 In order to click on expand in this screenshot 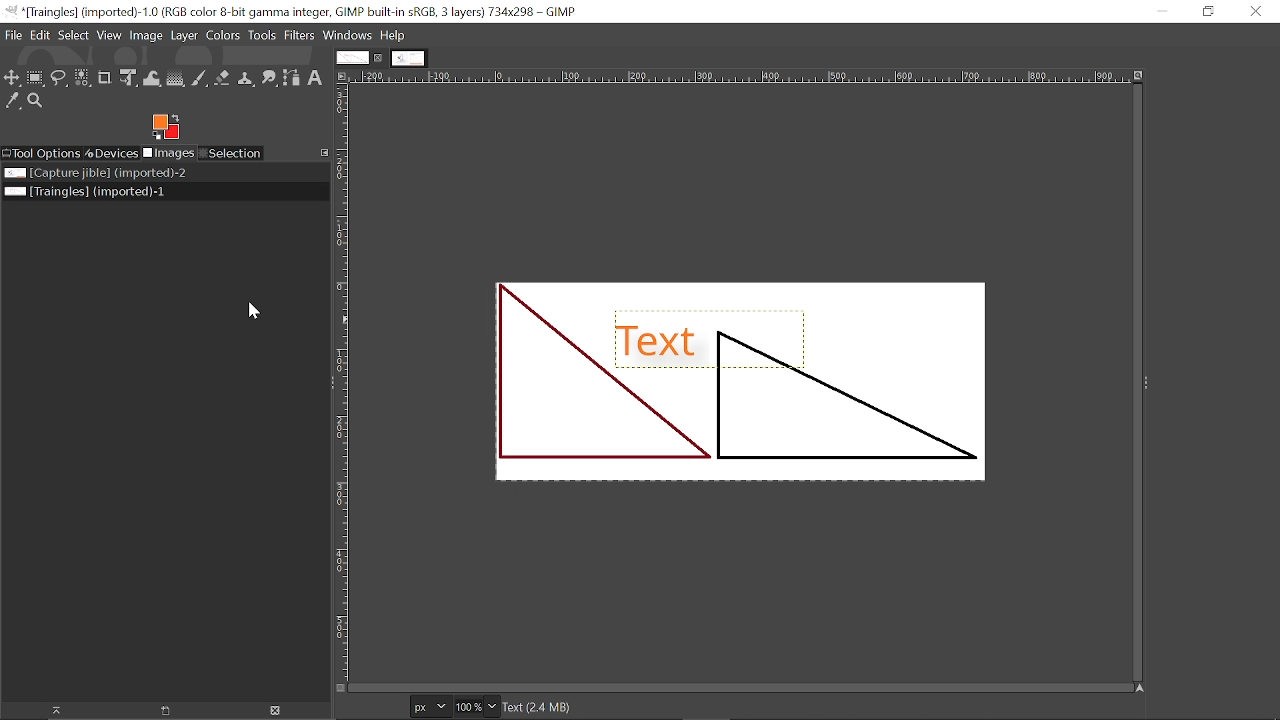, I will do `click(1145, 380)`.